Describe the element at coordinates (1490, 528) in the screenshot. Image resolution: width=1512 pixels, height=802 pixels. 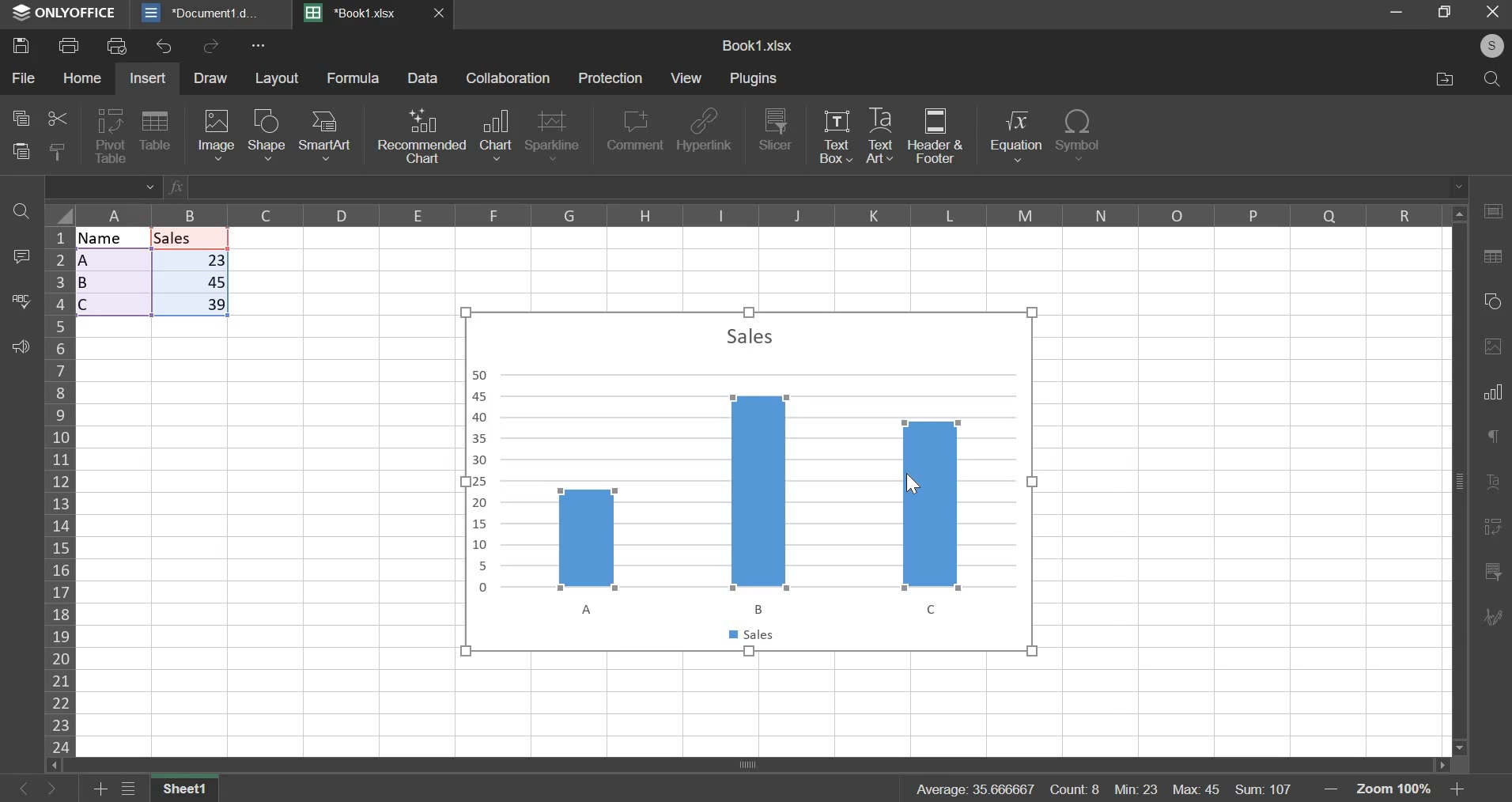
I see `References/Bookmarks Tool` at that location.